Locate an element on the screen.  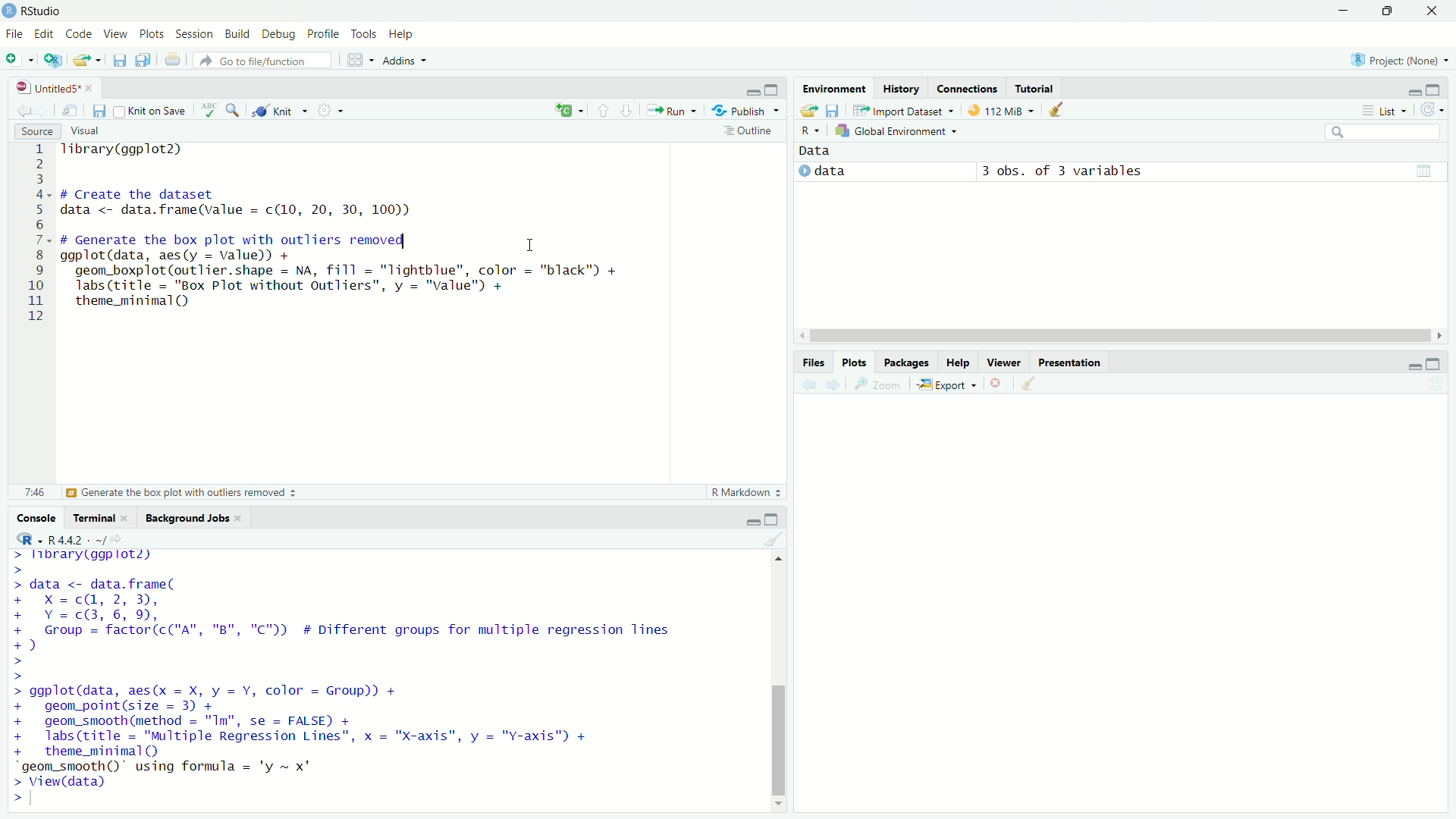
Help is located at coordinates (408, 33).